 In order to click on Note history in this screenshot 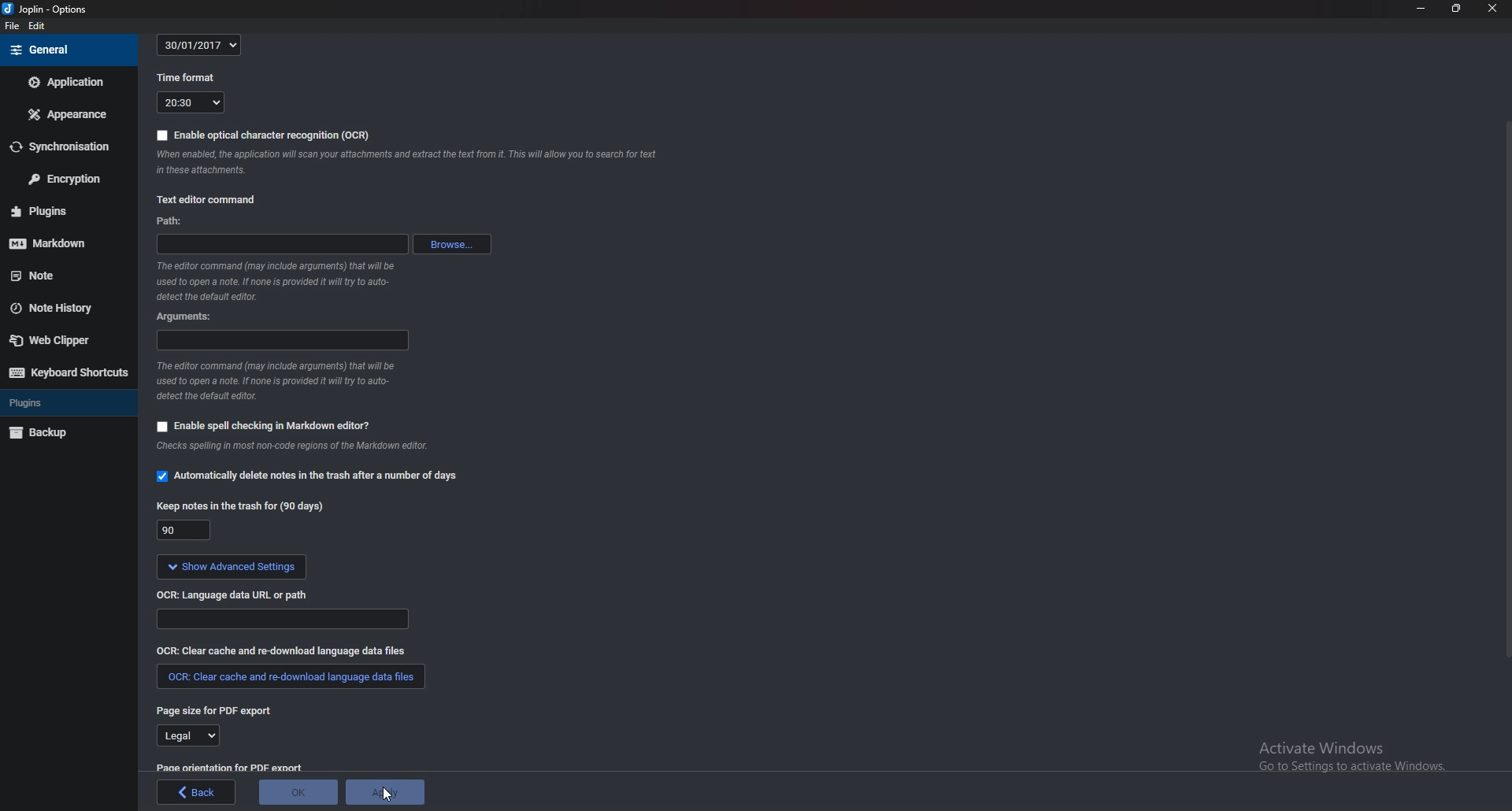, I will do `click(58, 308)`.